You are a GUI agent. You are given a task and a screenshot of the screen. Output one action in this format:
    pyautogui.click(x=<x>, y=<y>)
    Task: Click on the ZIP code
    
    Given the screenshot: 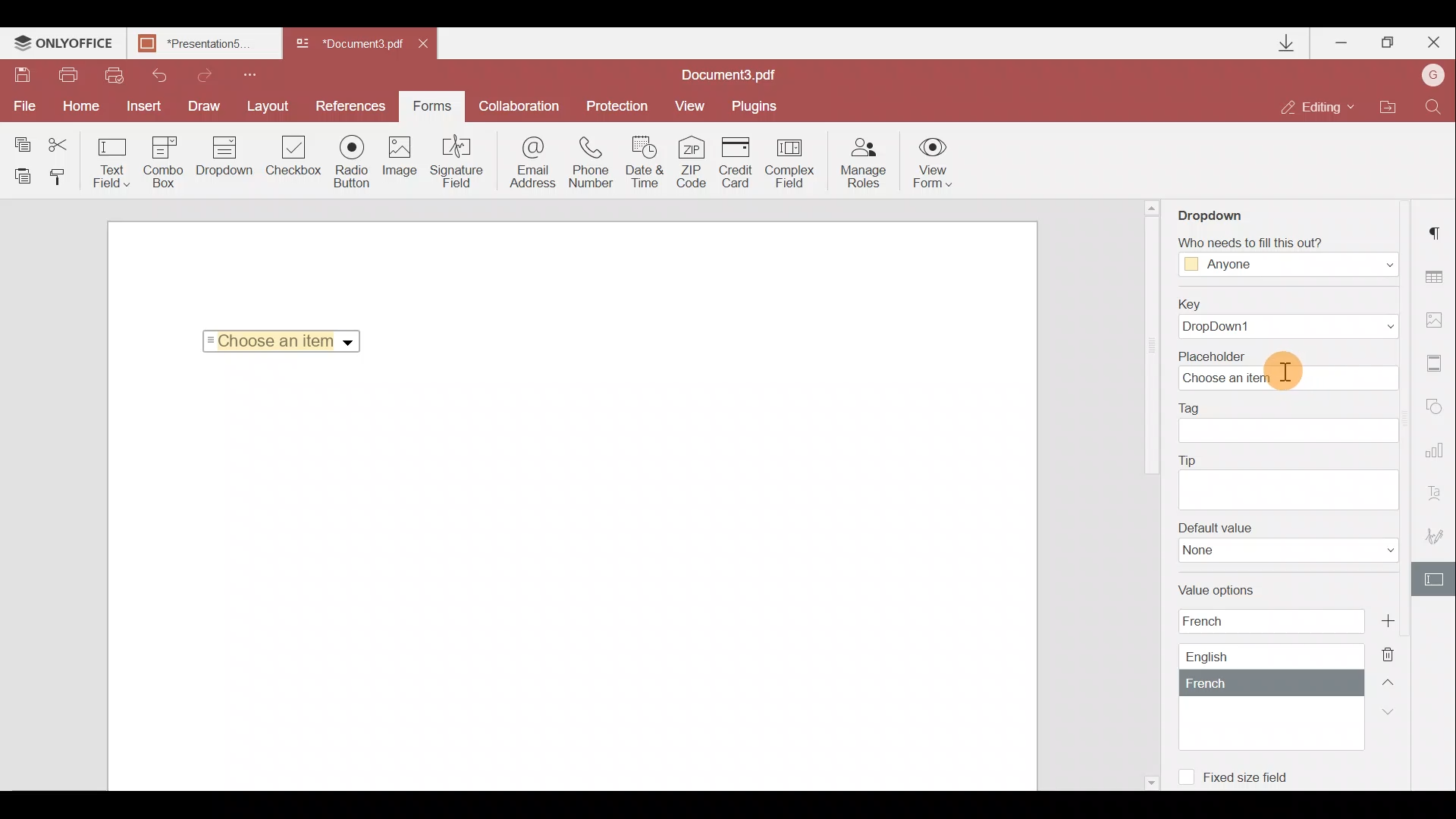 What is the action you would take?
    pyautogui.click(x=696, y=165)
    